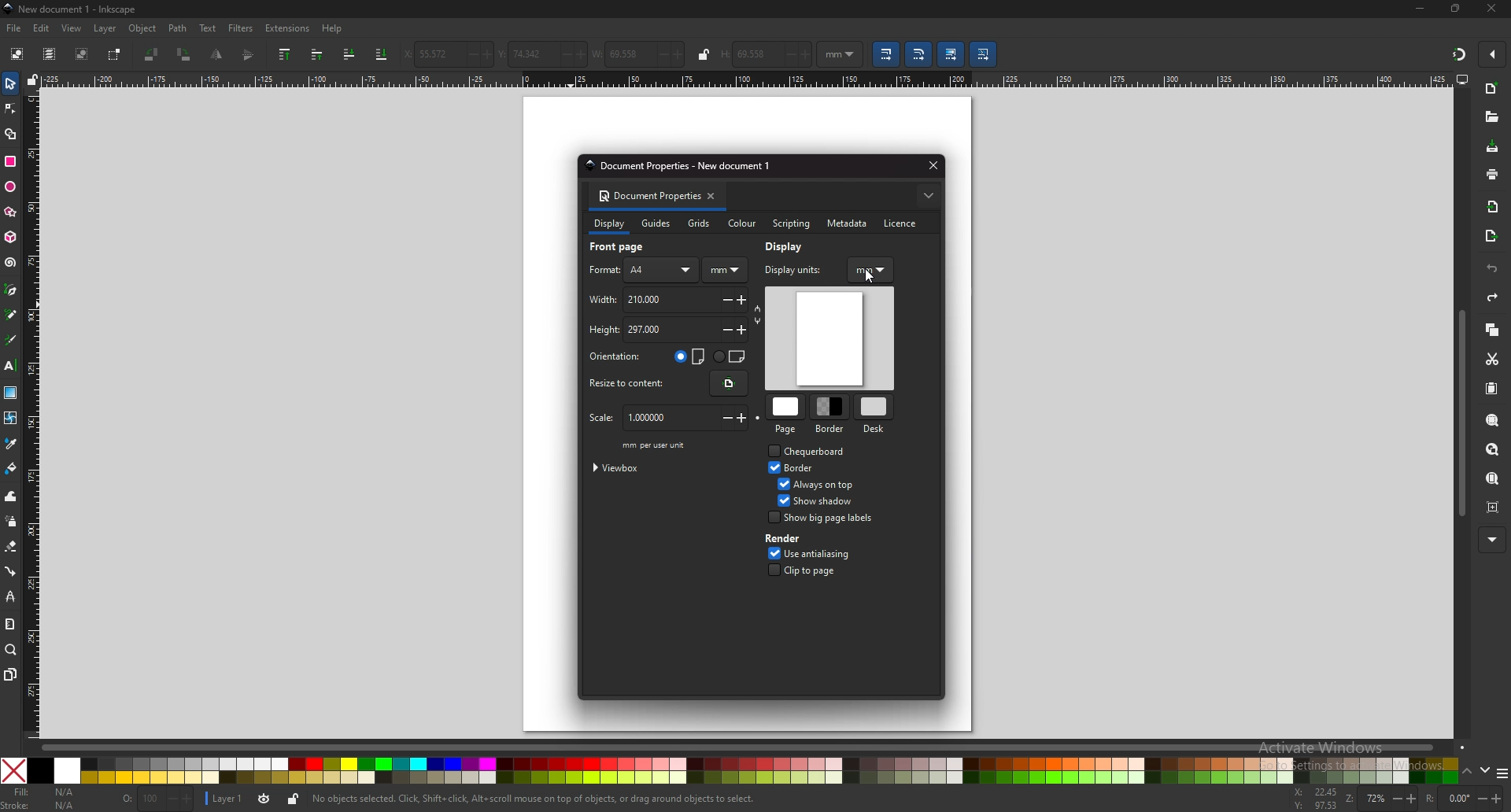 The width and height of the screenshot is (1511, 812). I want to click on more, so click(1490, 539).